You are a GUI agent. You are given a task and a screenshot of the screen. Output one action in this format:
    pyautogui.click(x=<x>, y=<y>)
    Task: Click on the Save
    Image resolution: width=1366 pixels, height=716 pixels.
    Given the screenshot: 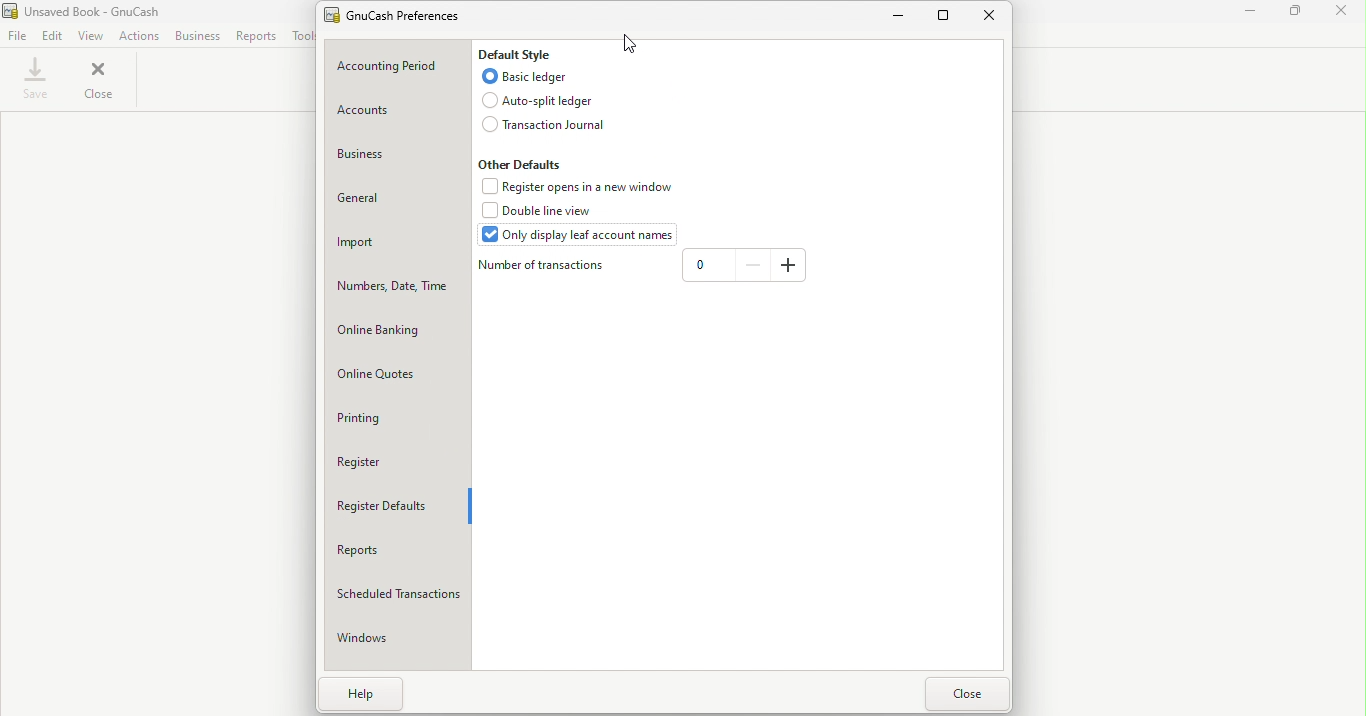 What is the action you would take?
    pyautogui.click(x=39, y=76)
    